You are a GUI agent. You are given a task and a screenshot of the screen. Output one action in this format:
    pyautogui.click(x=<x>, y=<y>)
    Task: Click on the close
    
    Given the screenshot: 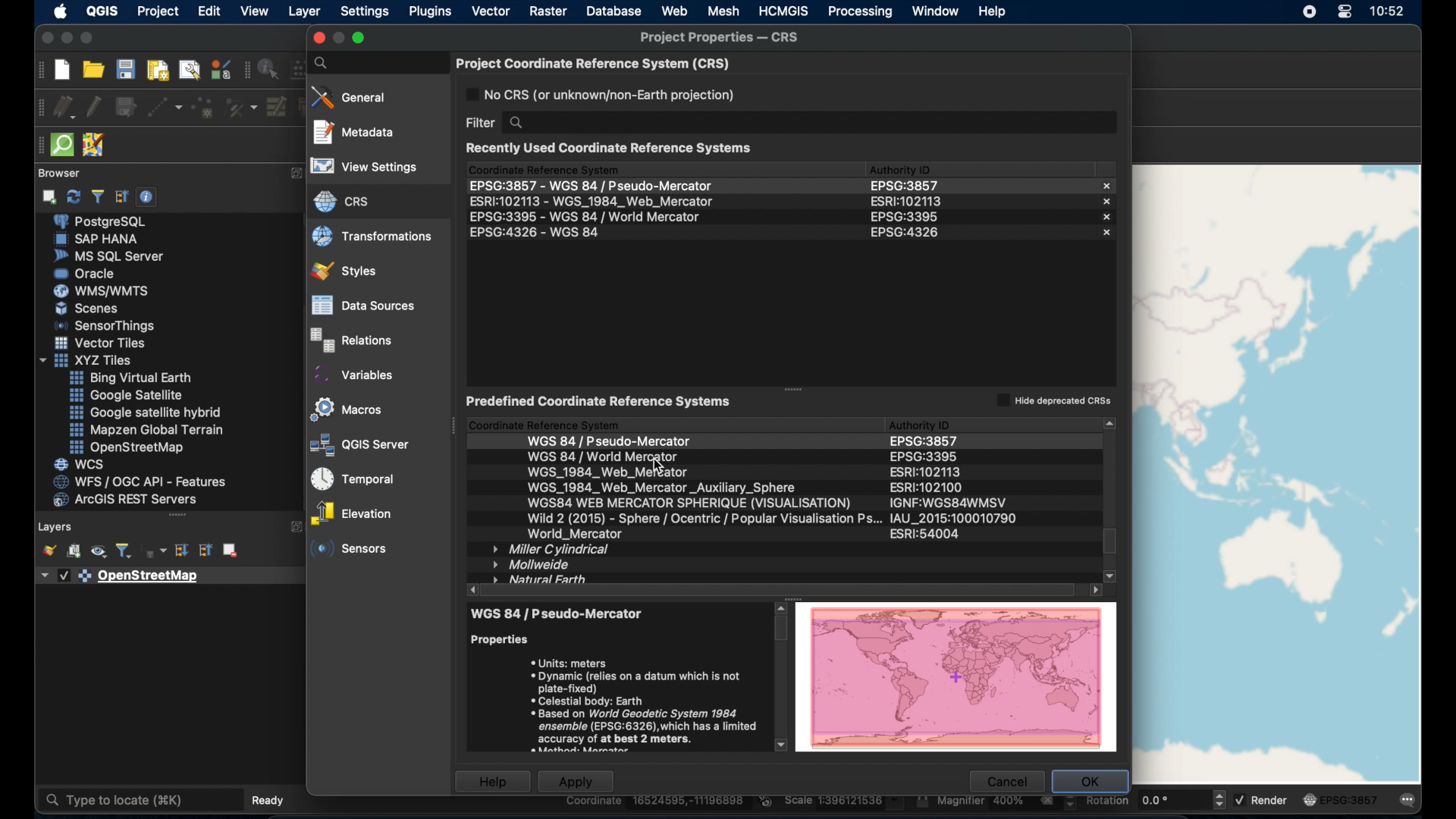 What is the action you would take?
    pyautogui.click(x=45, y=37)
    